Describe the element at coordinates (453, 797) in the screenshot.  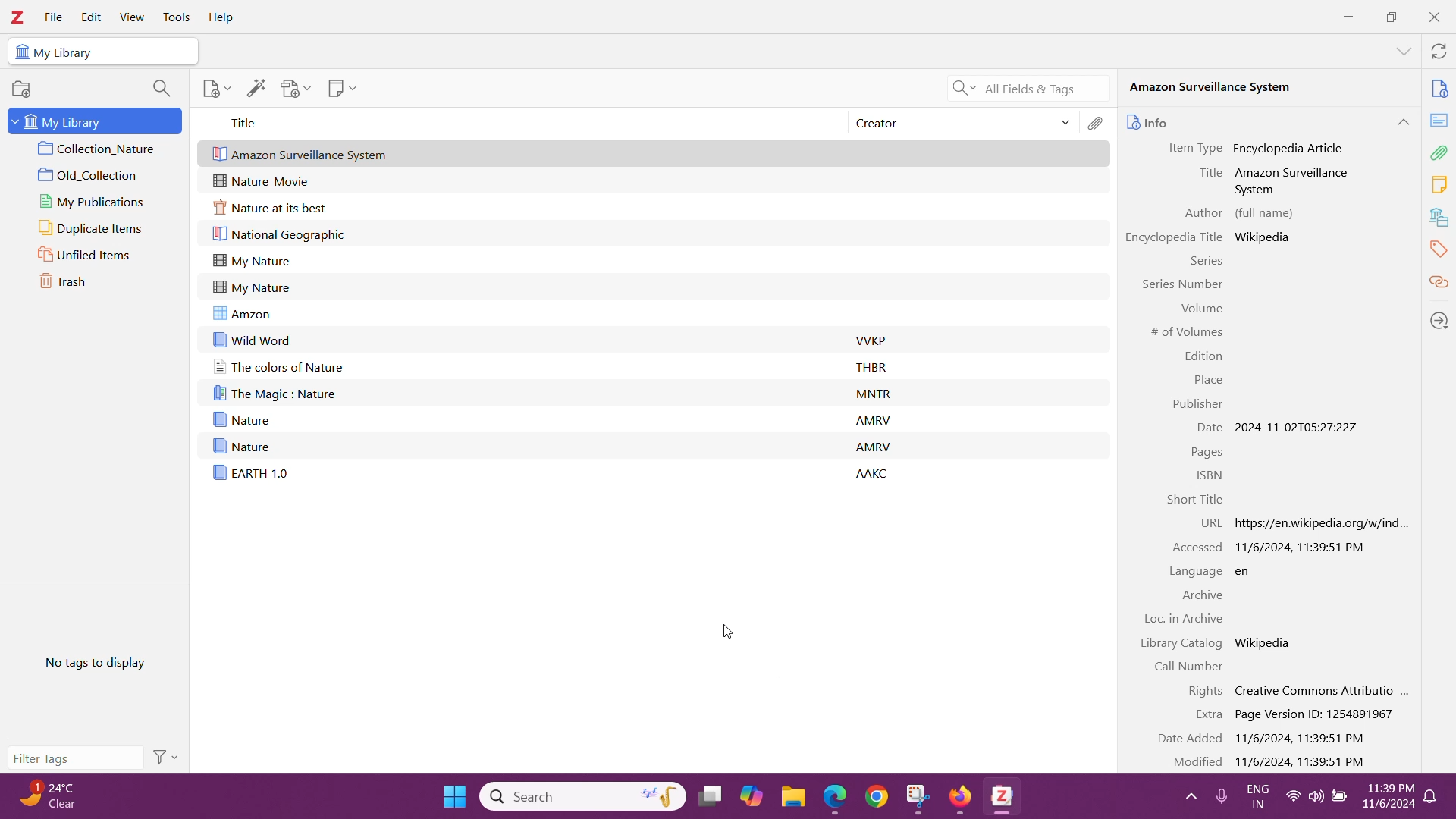
I see `windows start` at that location.